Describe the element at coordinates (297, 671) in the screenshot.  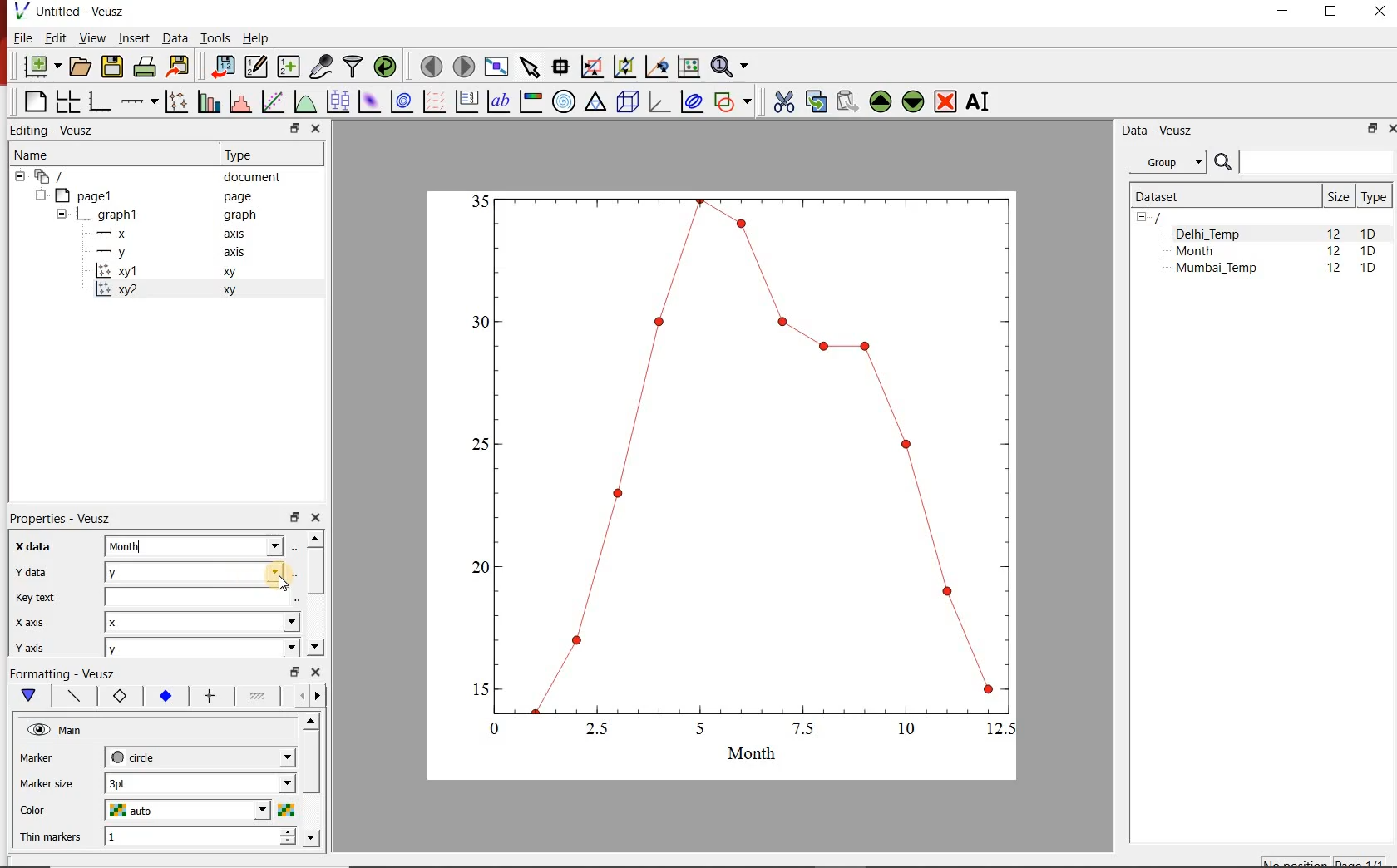
I see `restore` at that location.